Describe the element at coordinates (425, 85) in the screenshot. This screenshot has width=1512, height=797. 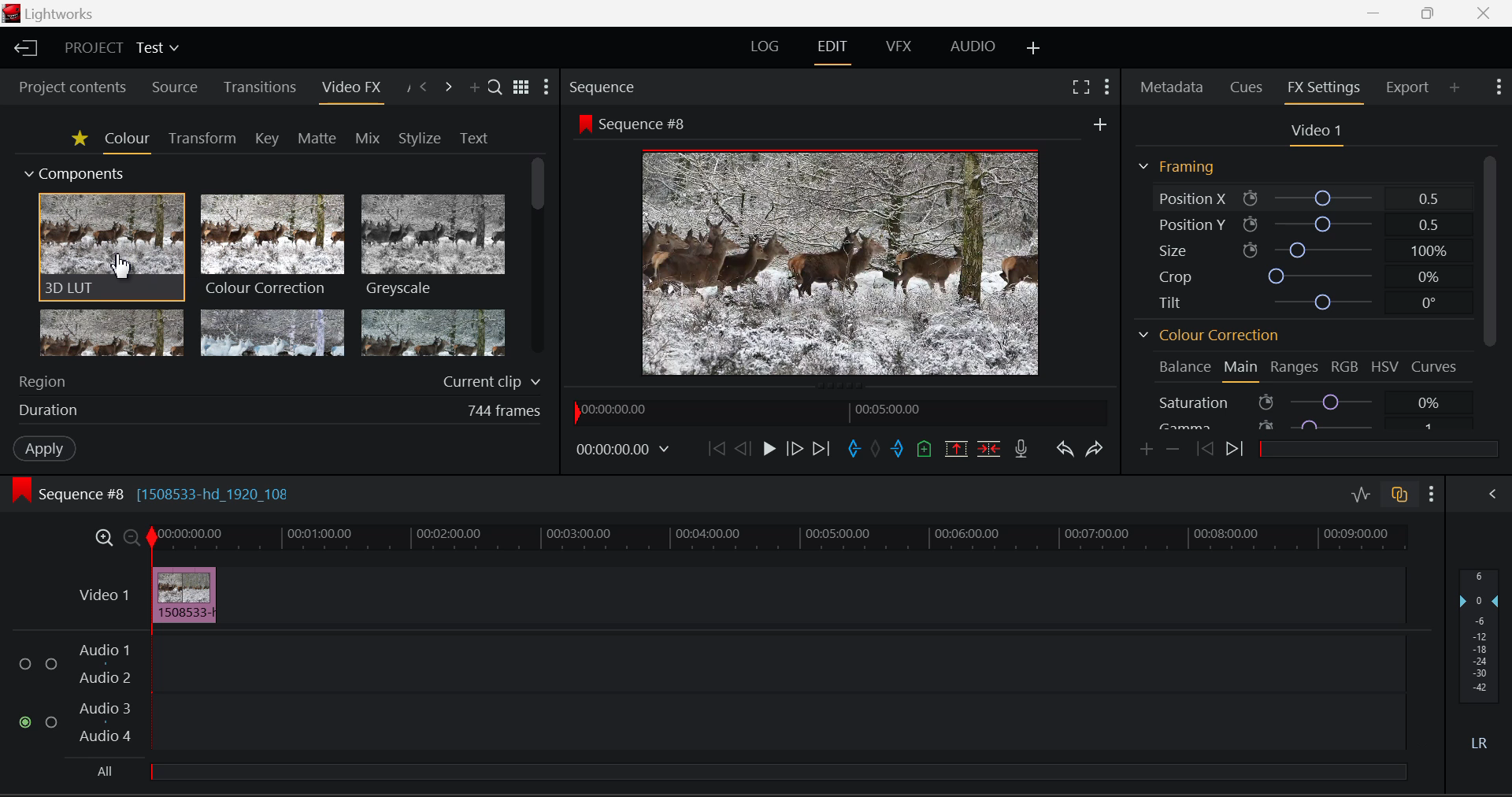
I see `Previous Panel` at that location.